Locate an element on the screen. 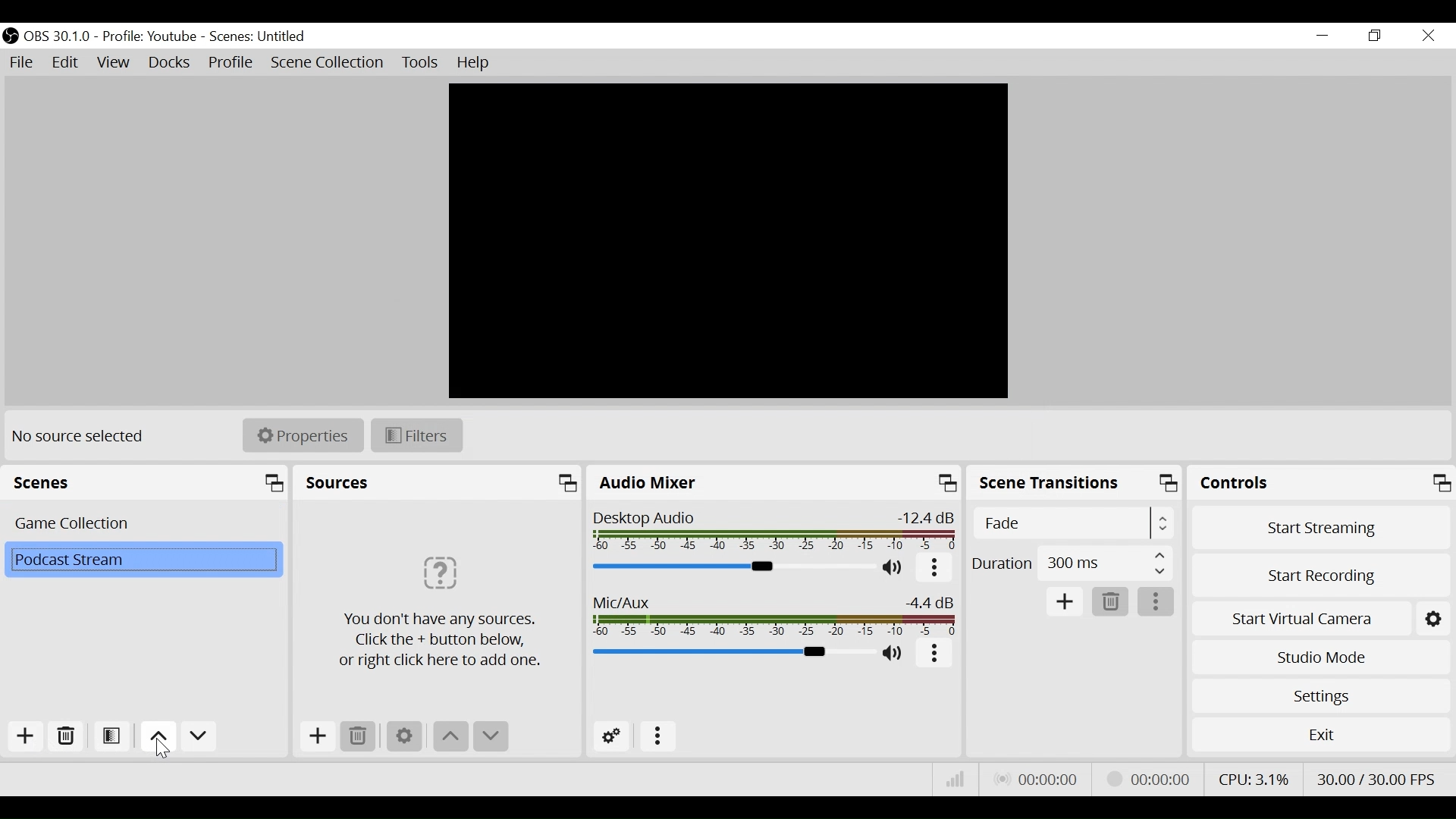 This screenshot has width=1456, height=819. Help is located at coordinates (475, 63).